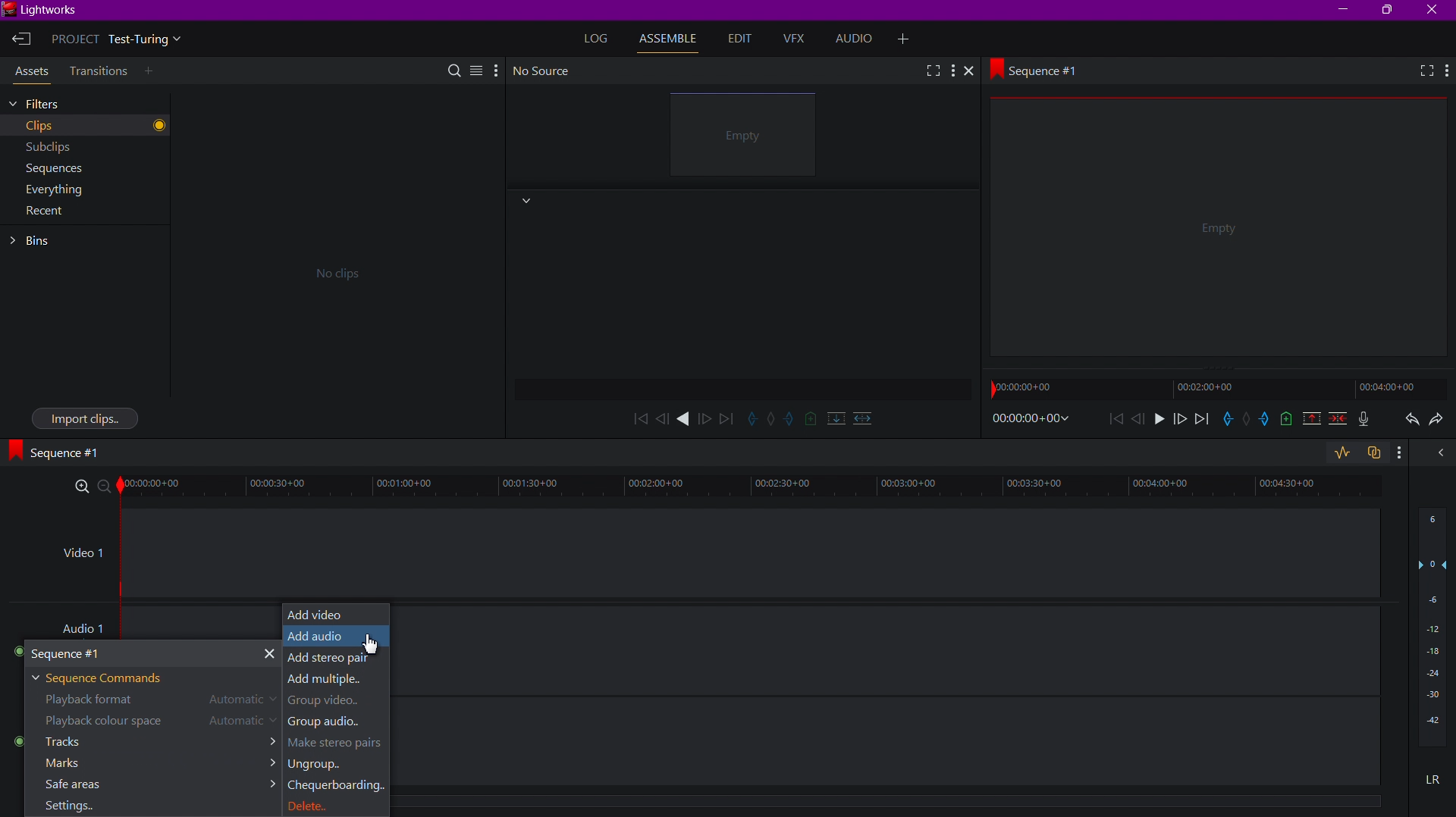  What do you see at coordinates (95, 700) in the screenshot?
I see `Playback format` at bounding box center [95, 700].